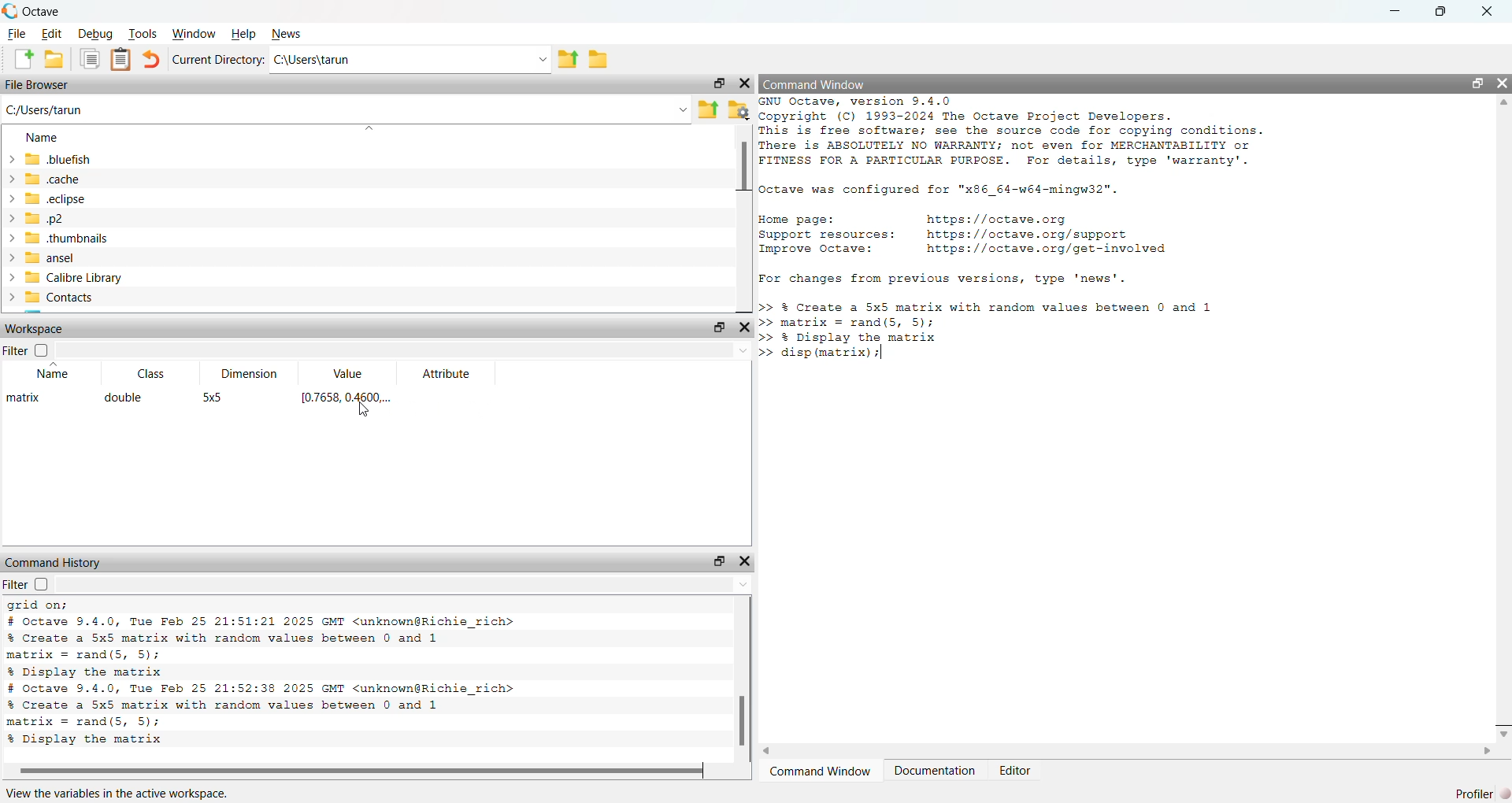  Describe the element at coordinates (1471, 793) in the screenshot. I see `Profiler` at that location.